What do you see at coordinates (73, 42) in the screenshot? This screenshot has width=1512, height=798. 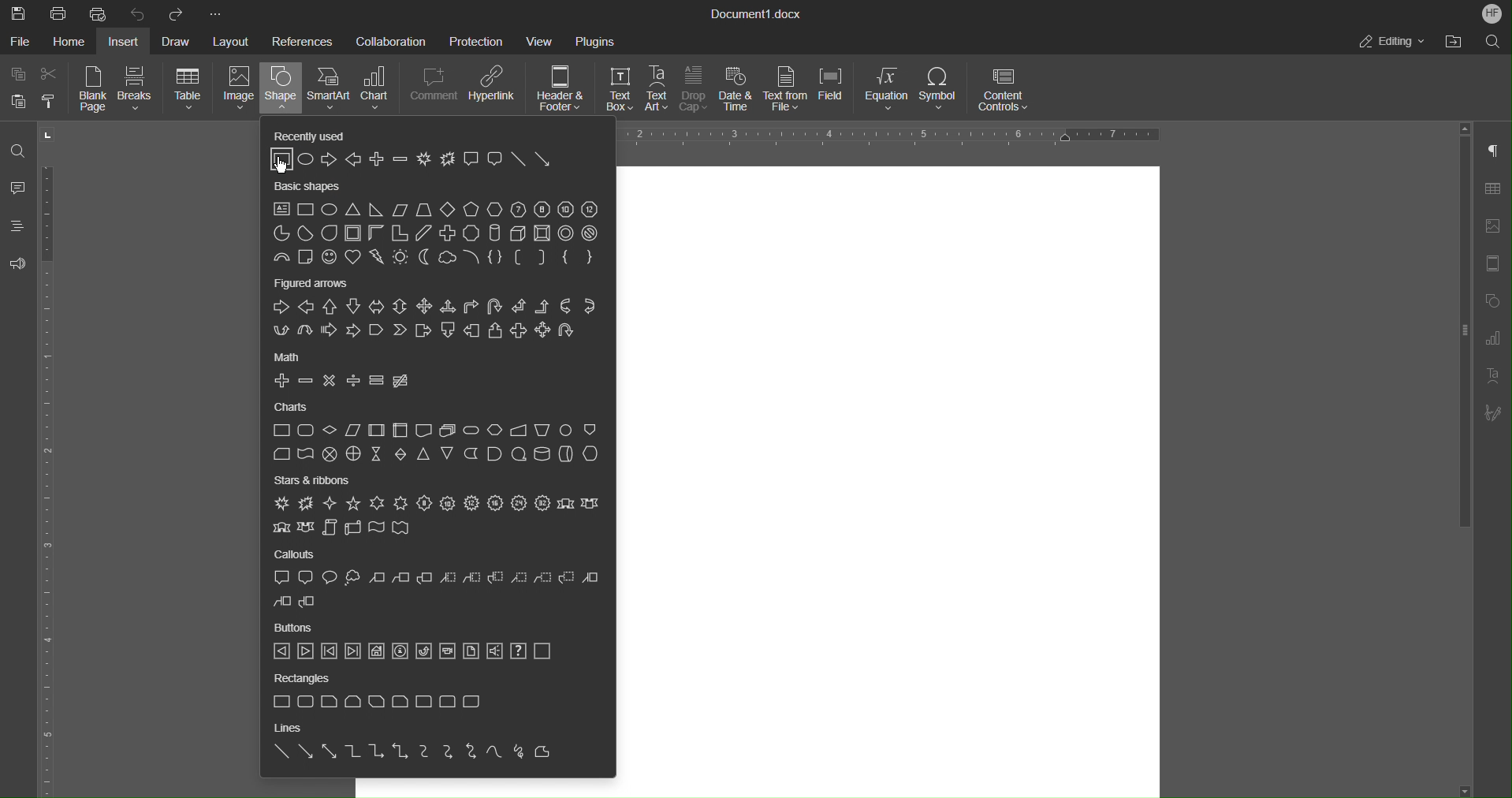 I see `Home` at bounding box center [73, 42].